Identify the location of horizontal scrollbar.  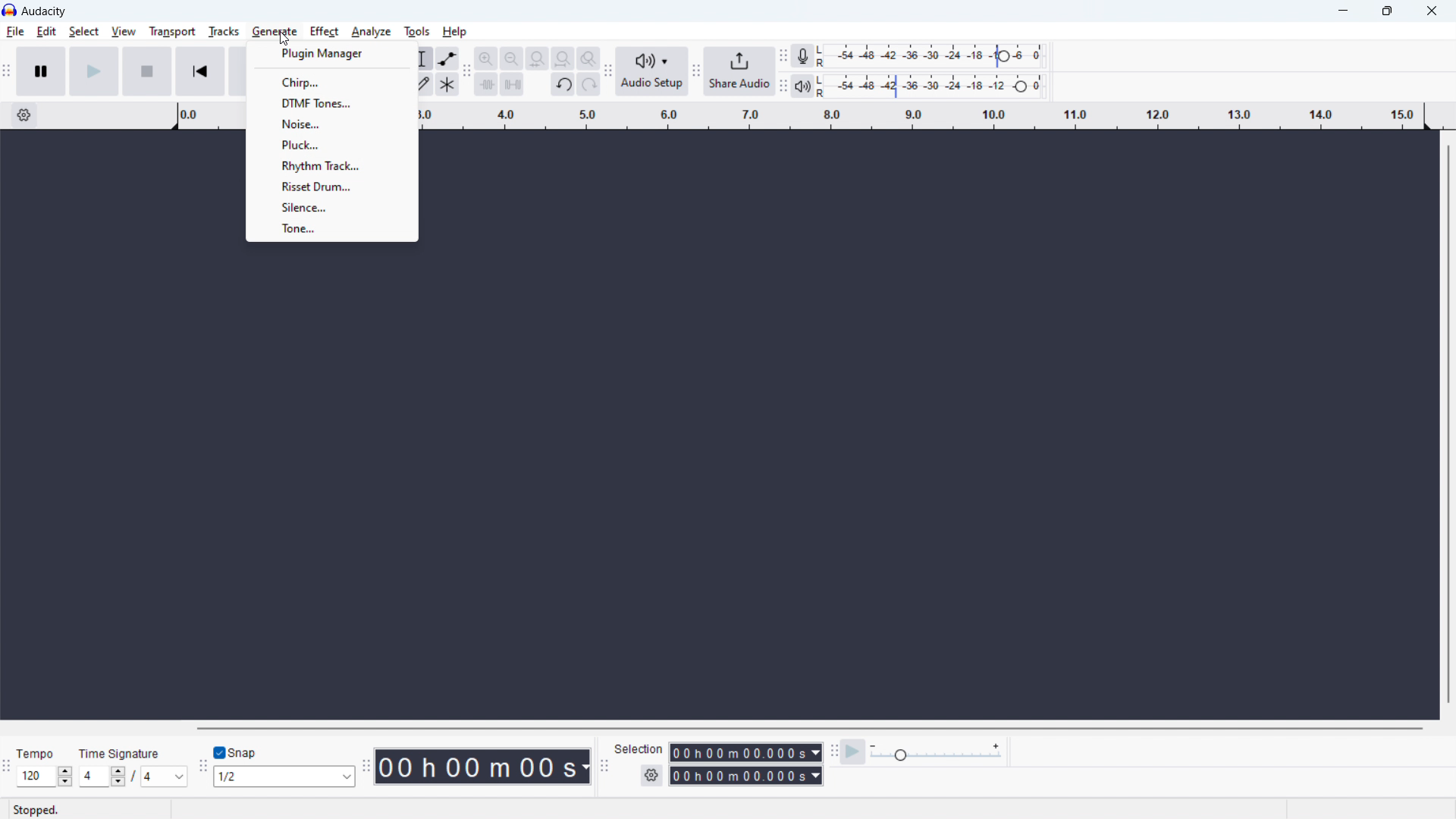
(809, 728).